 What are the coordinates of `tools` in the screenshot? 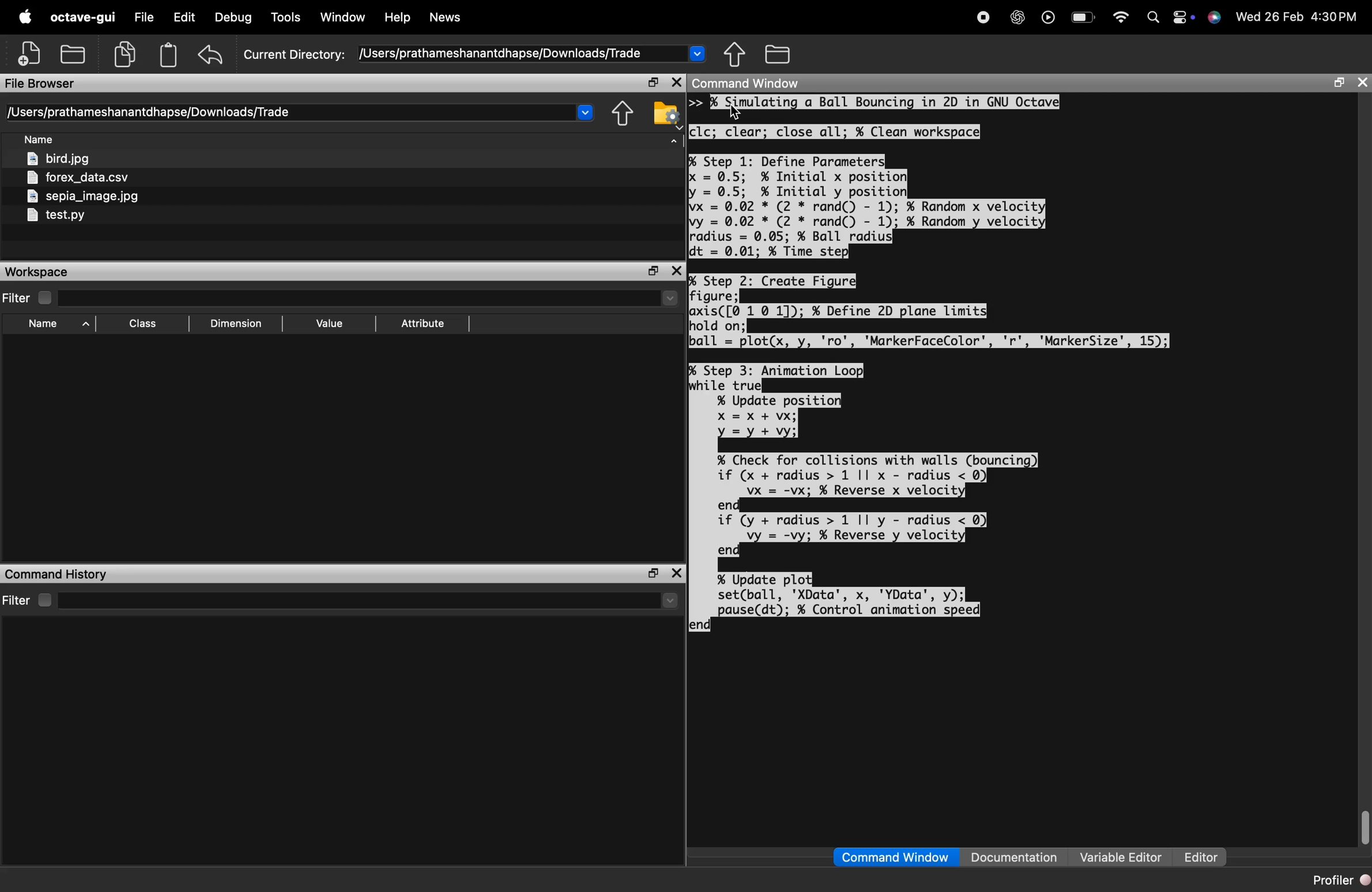 It's located at (288, 17).